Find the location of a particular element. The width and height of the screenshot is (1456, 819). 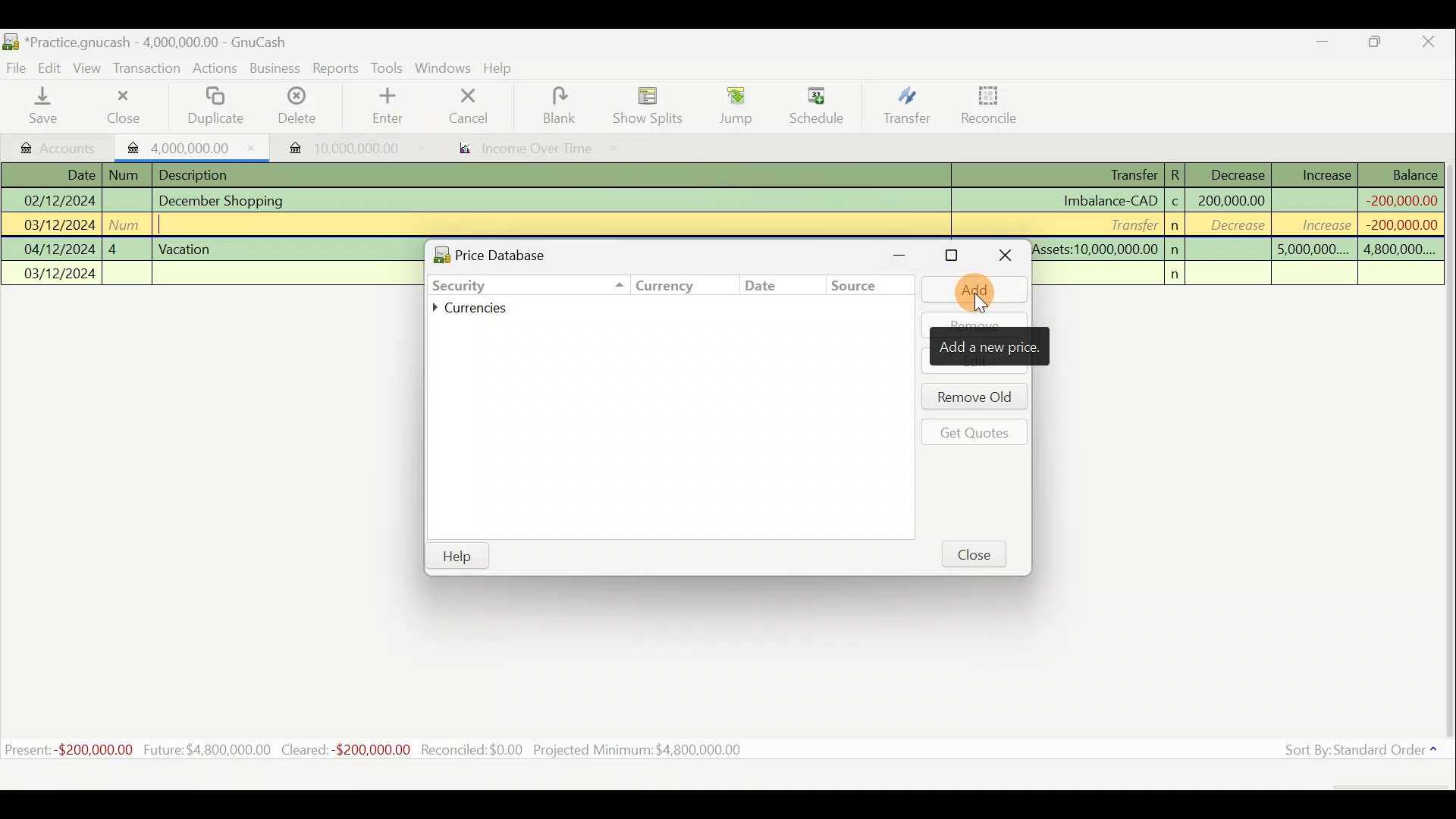

decrease is located at coordinates (1233, 227).